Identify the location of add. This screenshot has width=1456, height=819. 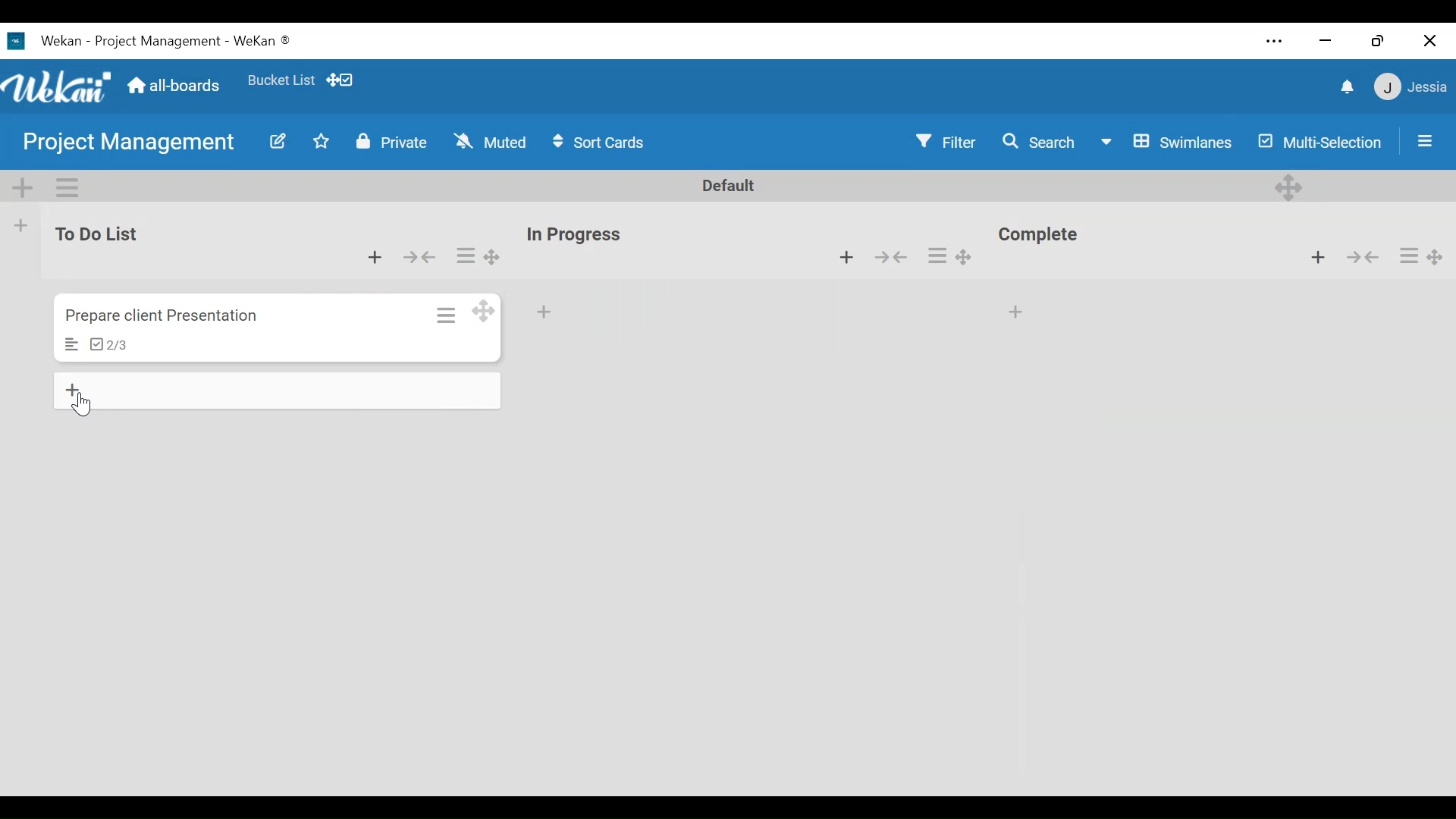
(549, 313).